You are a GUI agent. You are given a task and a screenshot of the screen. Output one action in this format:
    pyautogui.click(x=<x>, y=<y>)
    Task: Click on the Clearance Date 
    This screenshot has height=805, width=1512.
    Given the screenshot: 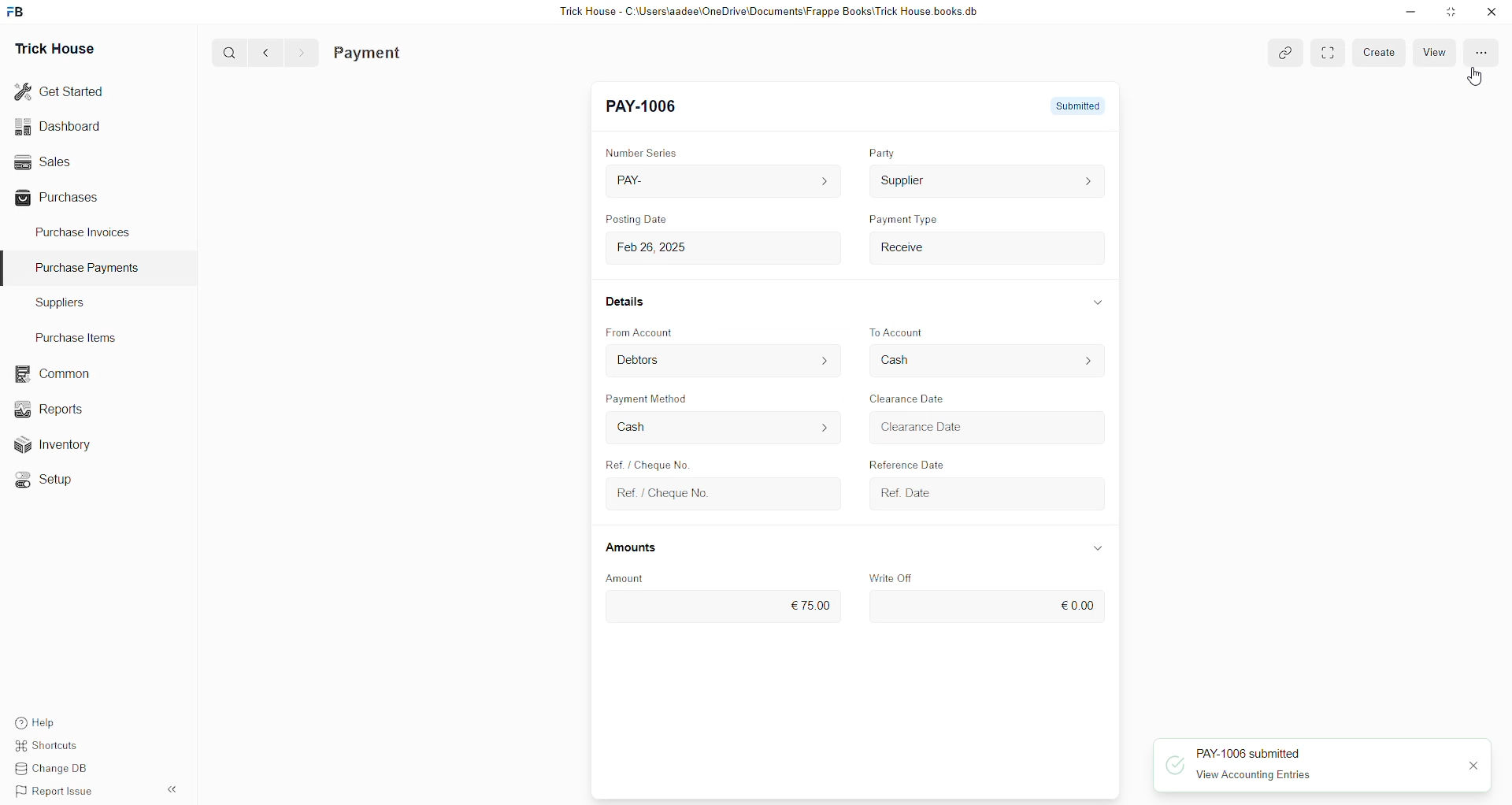 What is the action you would take?
    pyautogui.click(x=978, y=426)
    